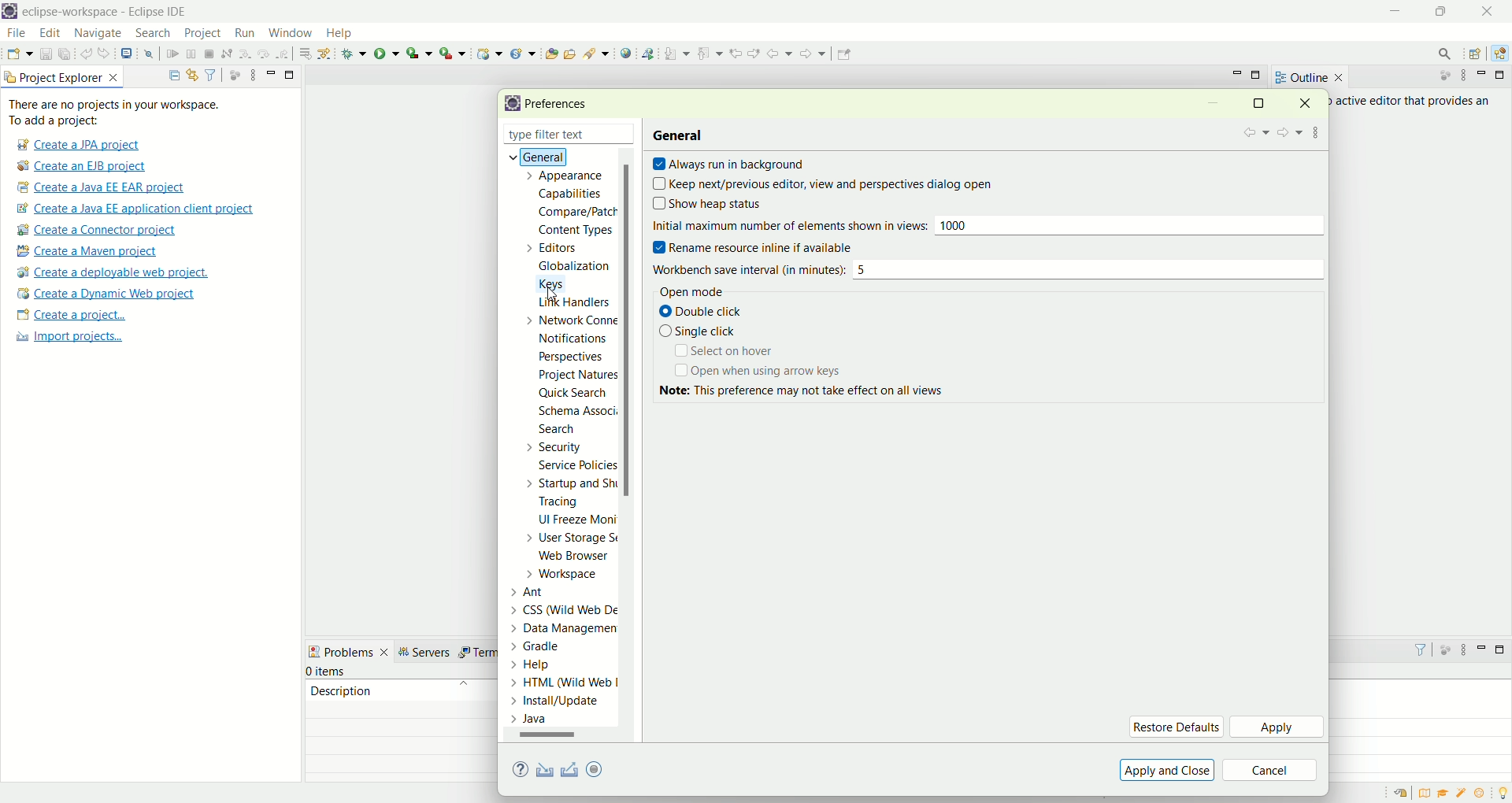 The height and width of the screenshot is (803, 1512). Describe the element at coordinates (1404, 794) in the screenshot. I see `restore welcome` at that location.